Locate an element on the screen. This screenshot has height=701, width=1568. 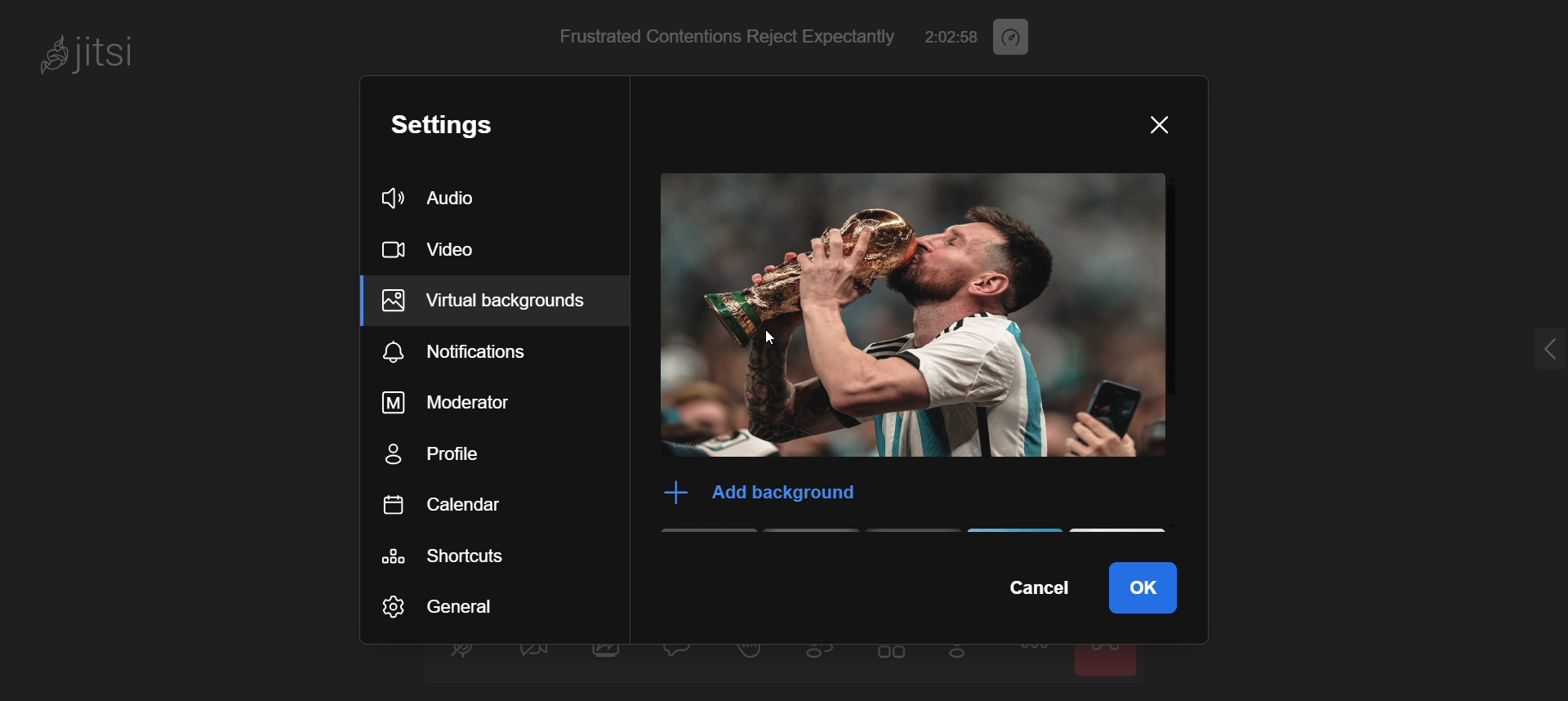
raise hand is located at coordinates (750, 656).